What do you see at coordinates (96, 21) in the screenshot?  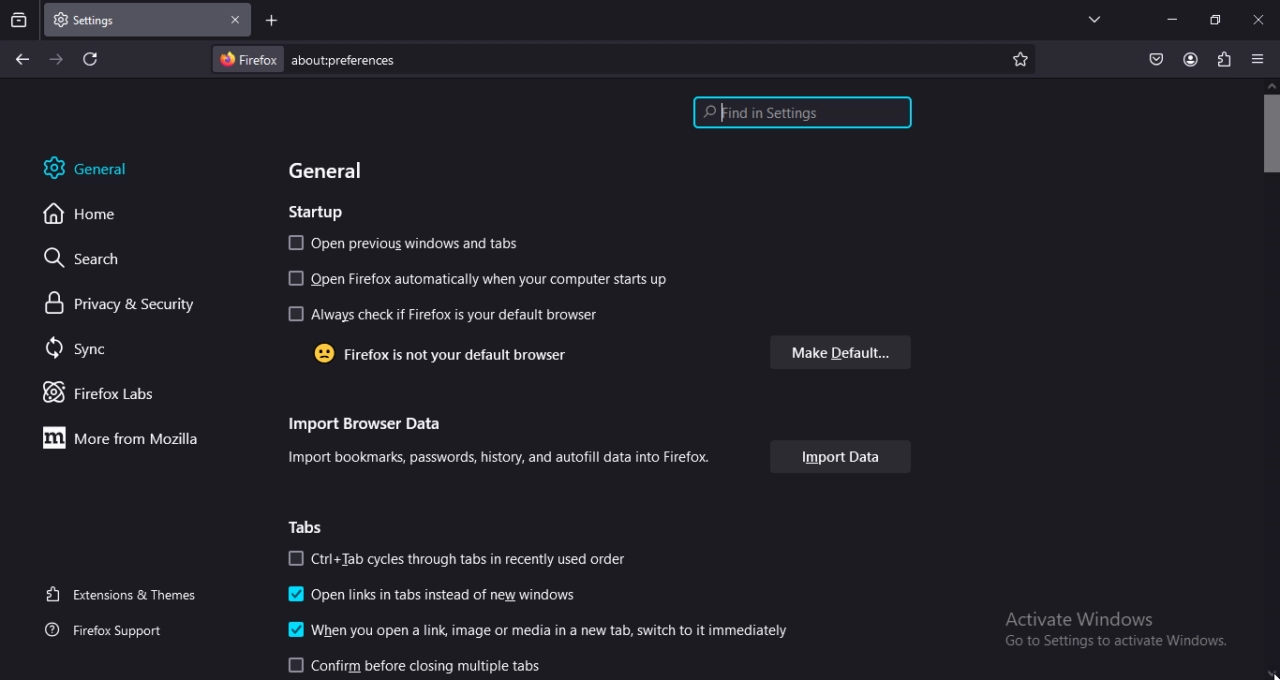 I see `current tab` at bounding box center [96, 21].